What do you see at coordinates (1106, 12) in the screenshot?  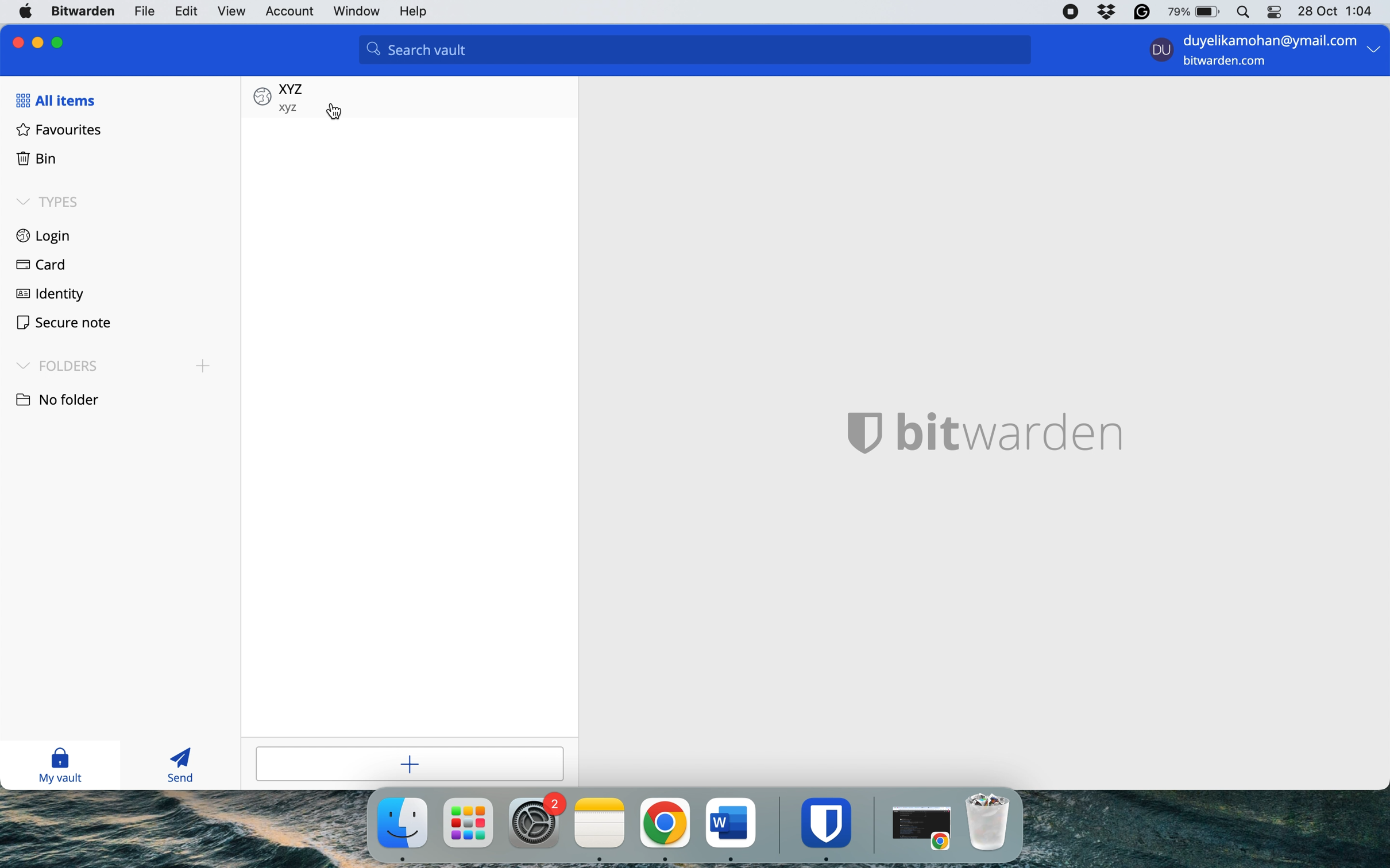 I see `dropbox` at bounding box center [1106, 12].